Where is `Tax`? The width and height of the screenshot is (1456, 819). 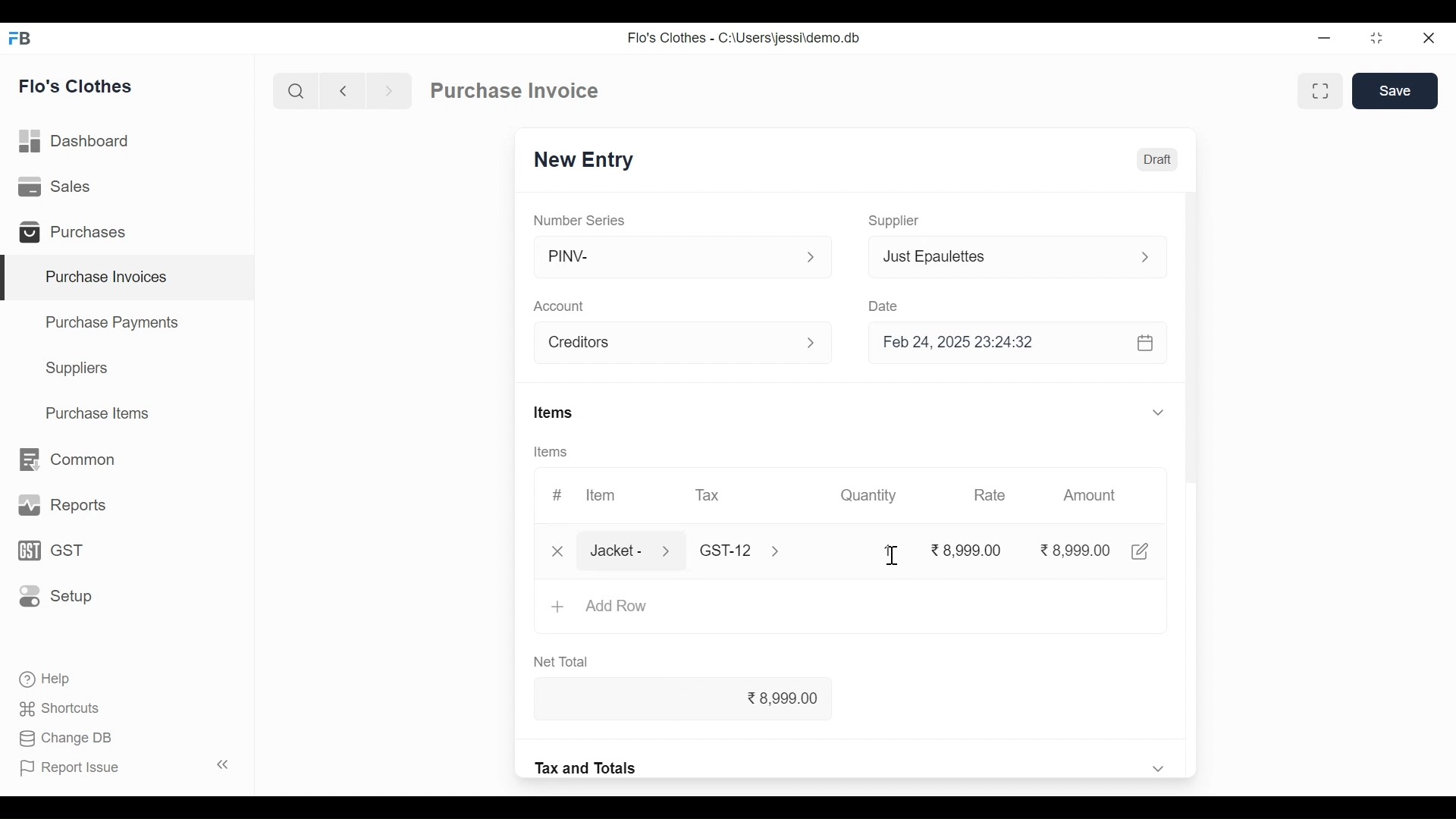 Tax is located at coordinates (729, 550).